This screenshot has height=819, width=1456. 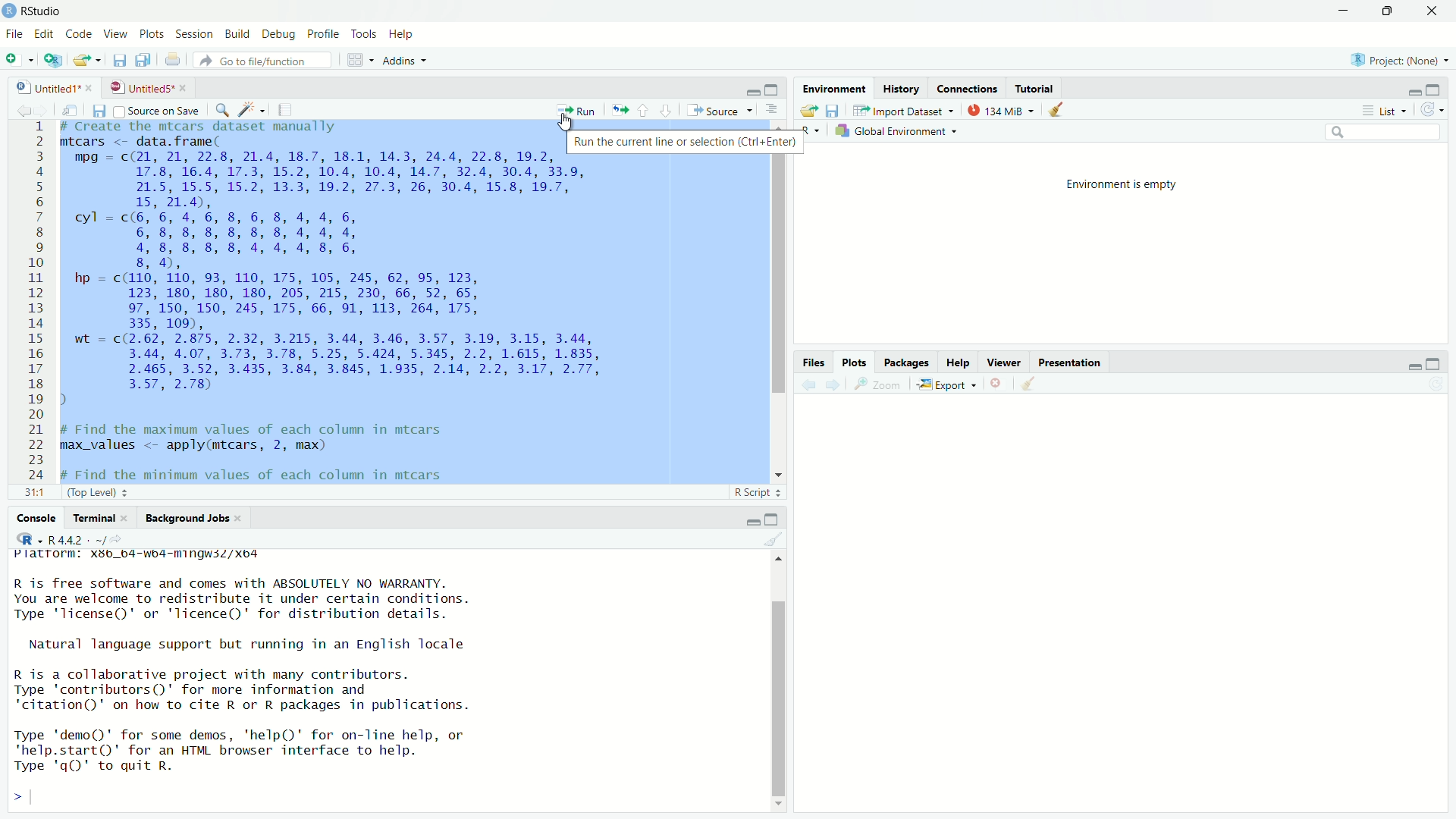 I want to click on cursor, so click(x=565, y=123).